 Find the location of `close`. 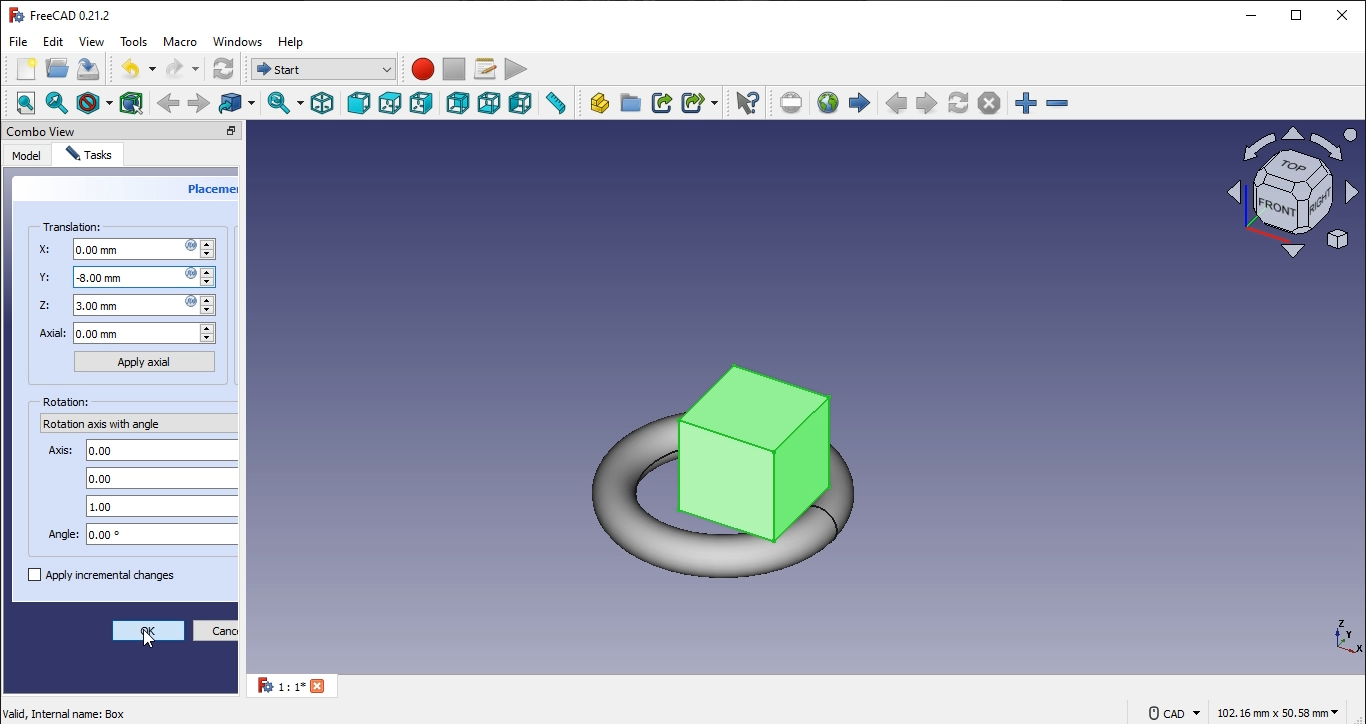

close is located at coordinates (230, 131).